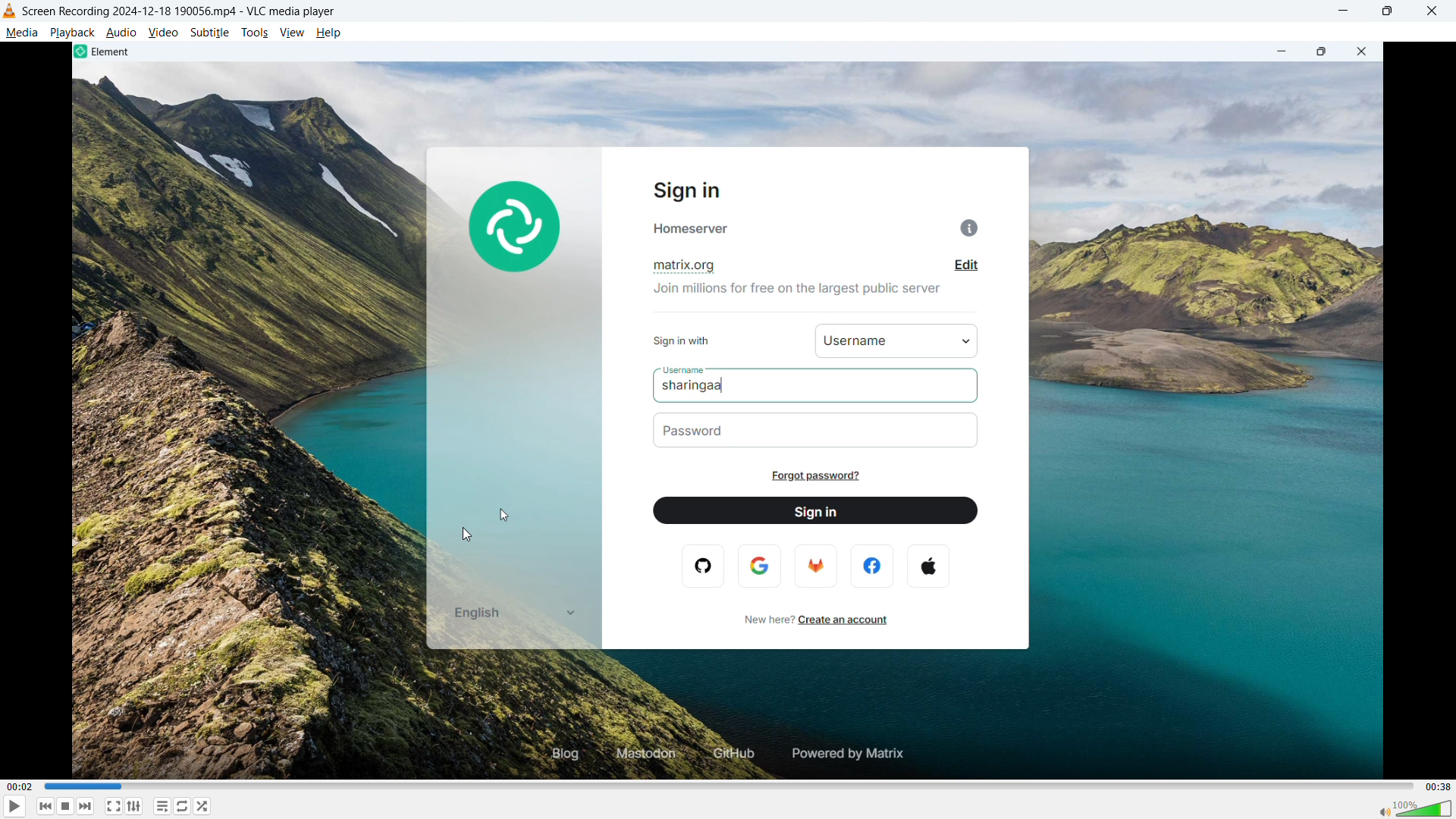 The image size is (1456, 819). What do you see at coordinates (691, 340) in the screenshot?
I see `Sign in with` at bounding box center [691, 340].